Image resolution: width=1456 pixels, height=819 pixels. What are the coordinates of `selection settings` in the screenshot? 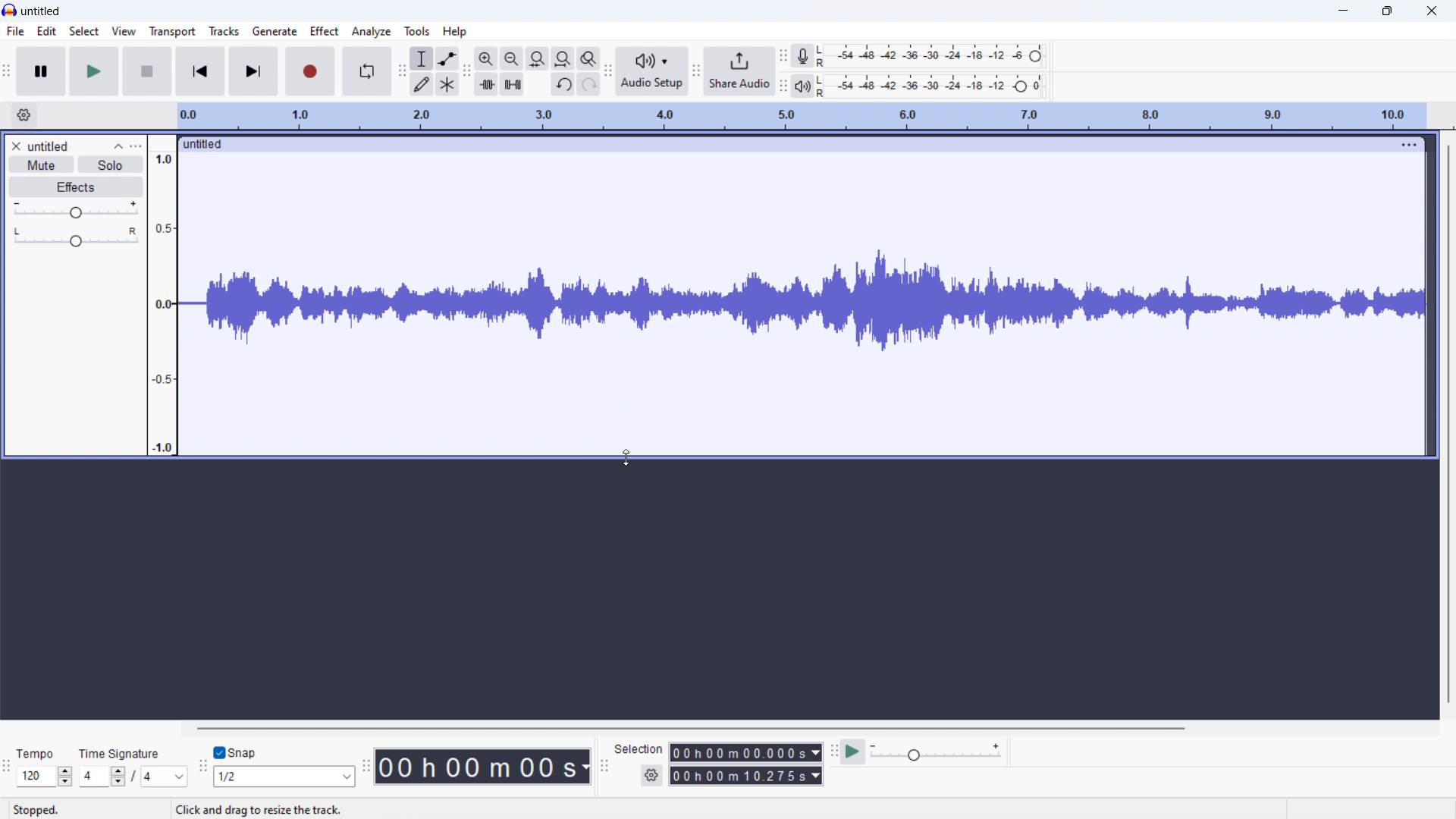 It's located at (652, 775).